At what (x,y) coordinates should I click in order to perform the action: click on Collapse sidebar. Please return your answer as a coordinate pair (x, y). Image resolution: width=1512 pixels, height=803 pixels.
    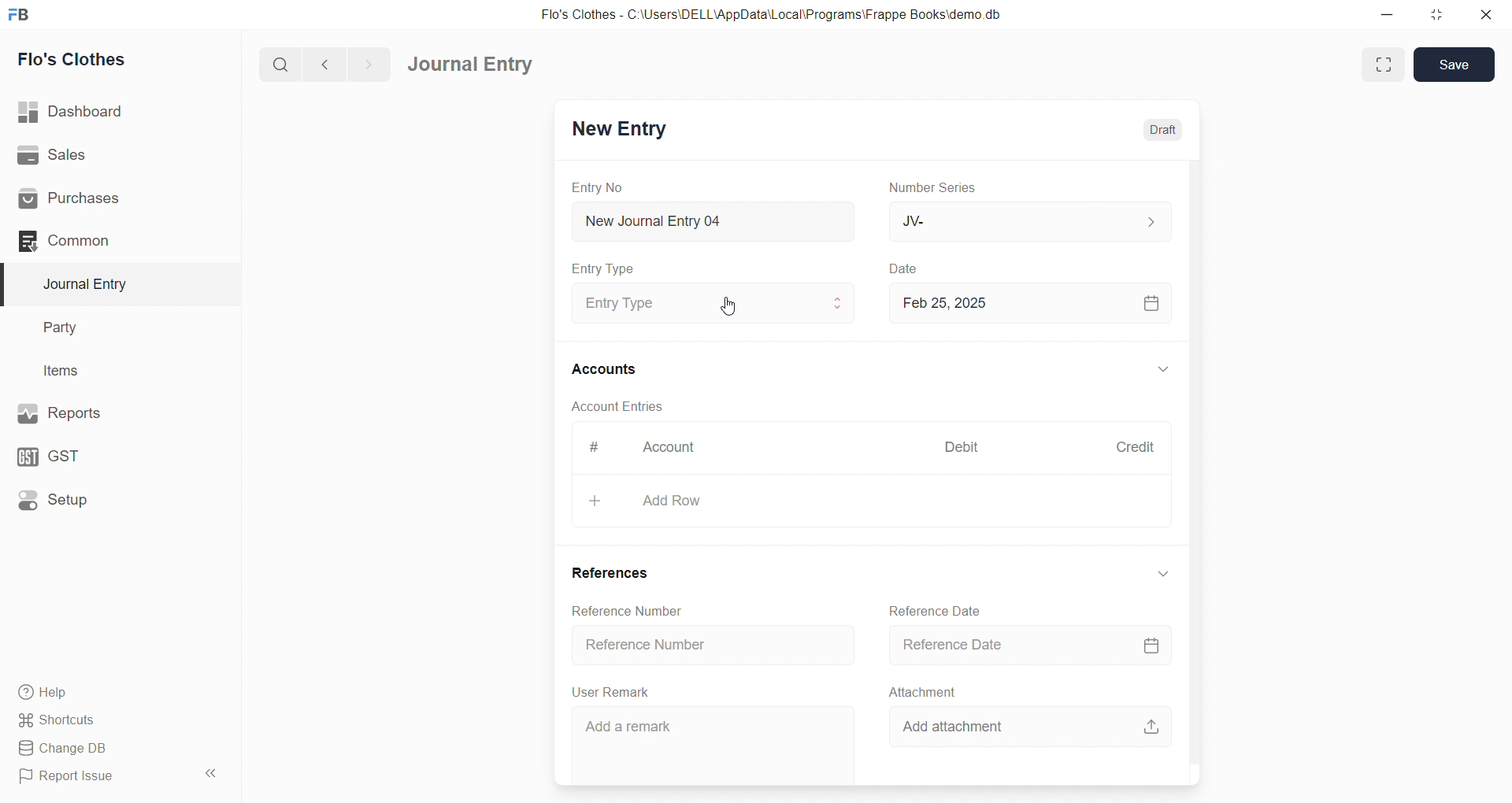
    Looking at the image, I should click on (213, 776).